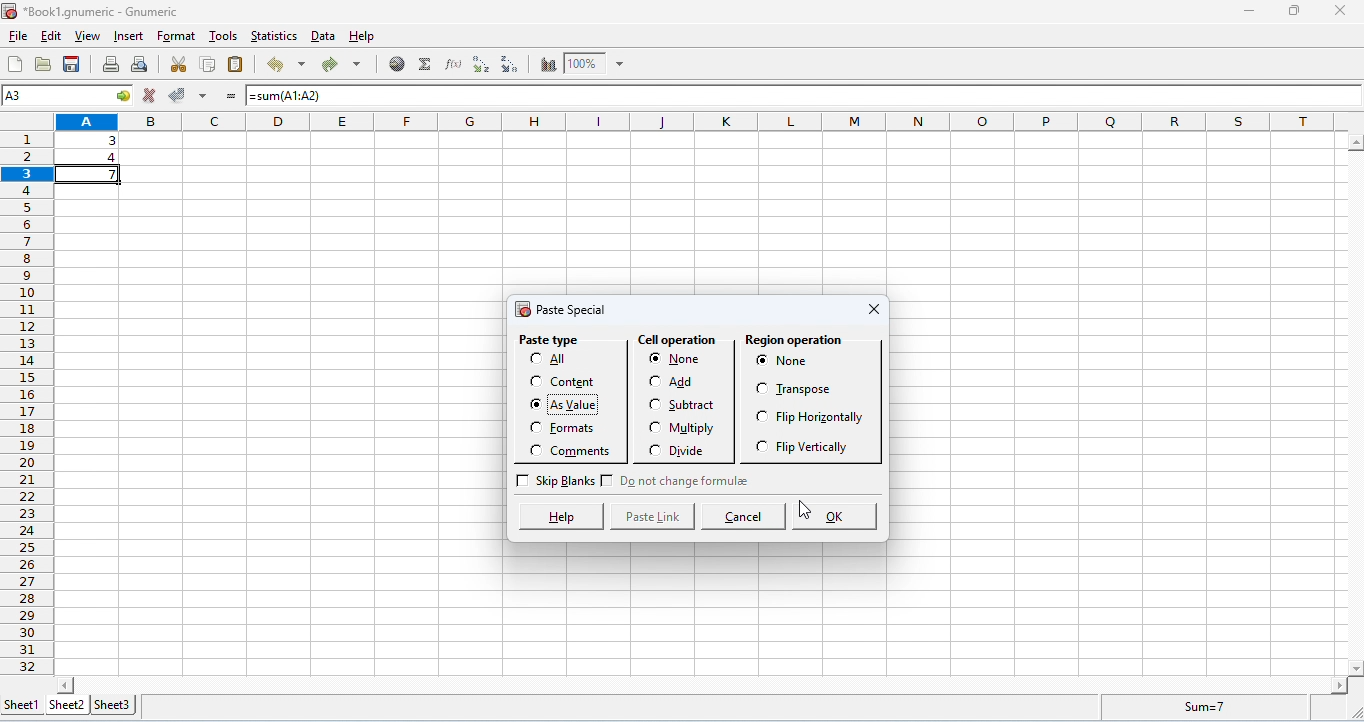 The height and width of the screenshot is (722, 1364). What do you see at coordinates (231, 99) in the screenshot?
I see `=` at bounding box center [231, 99].